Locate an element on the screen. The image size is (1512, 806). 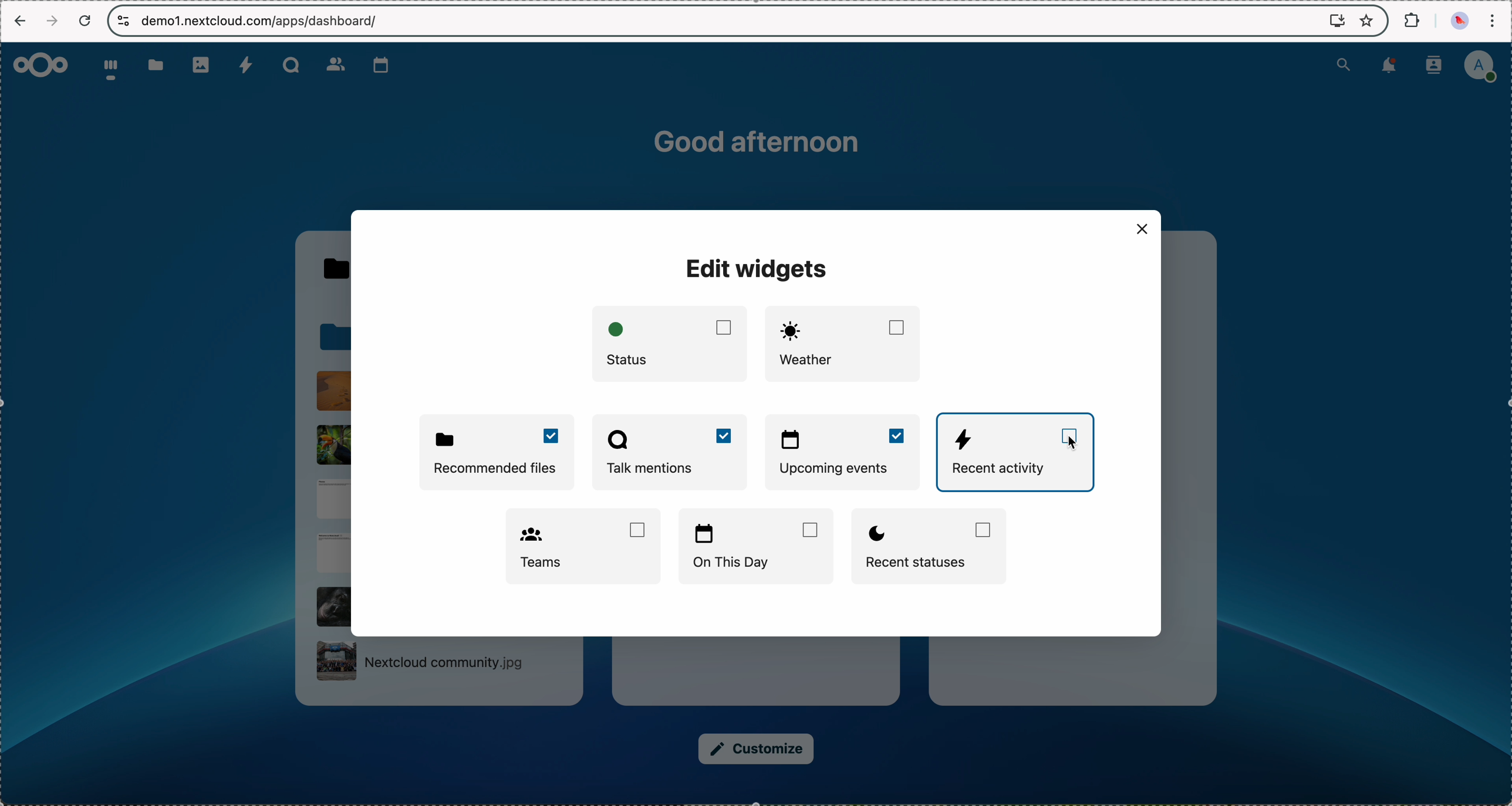
click on recent activity is located at coordinates (1018, 452).